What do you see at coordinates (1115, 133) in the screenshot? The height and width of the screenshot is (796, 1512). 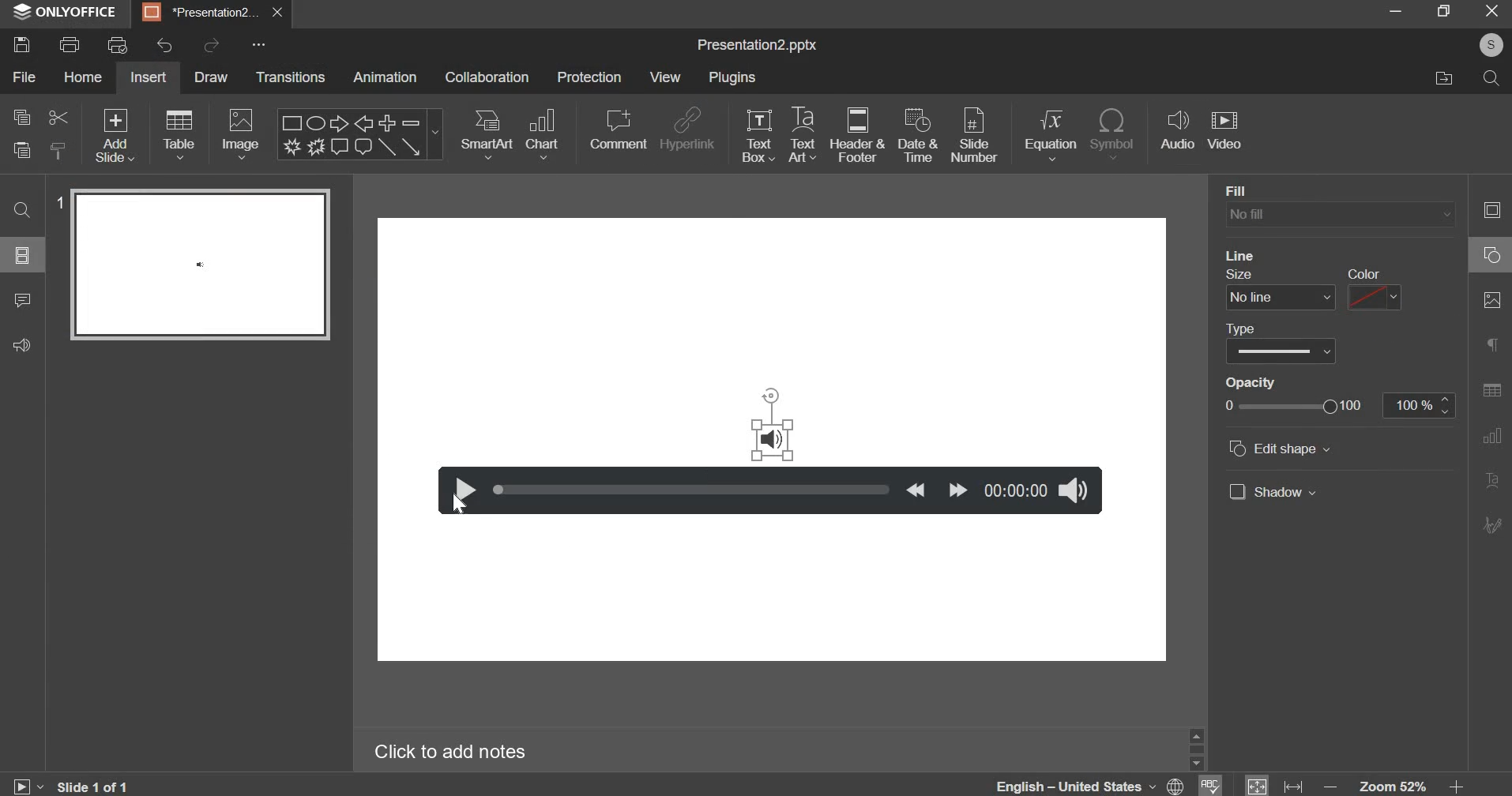 I see `insert symbol` at bounding box center [1115, 133].